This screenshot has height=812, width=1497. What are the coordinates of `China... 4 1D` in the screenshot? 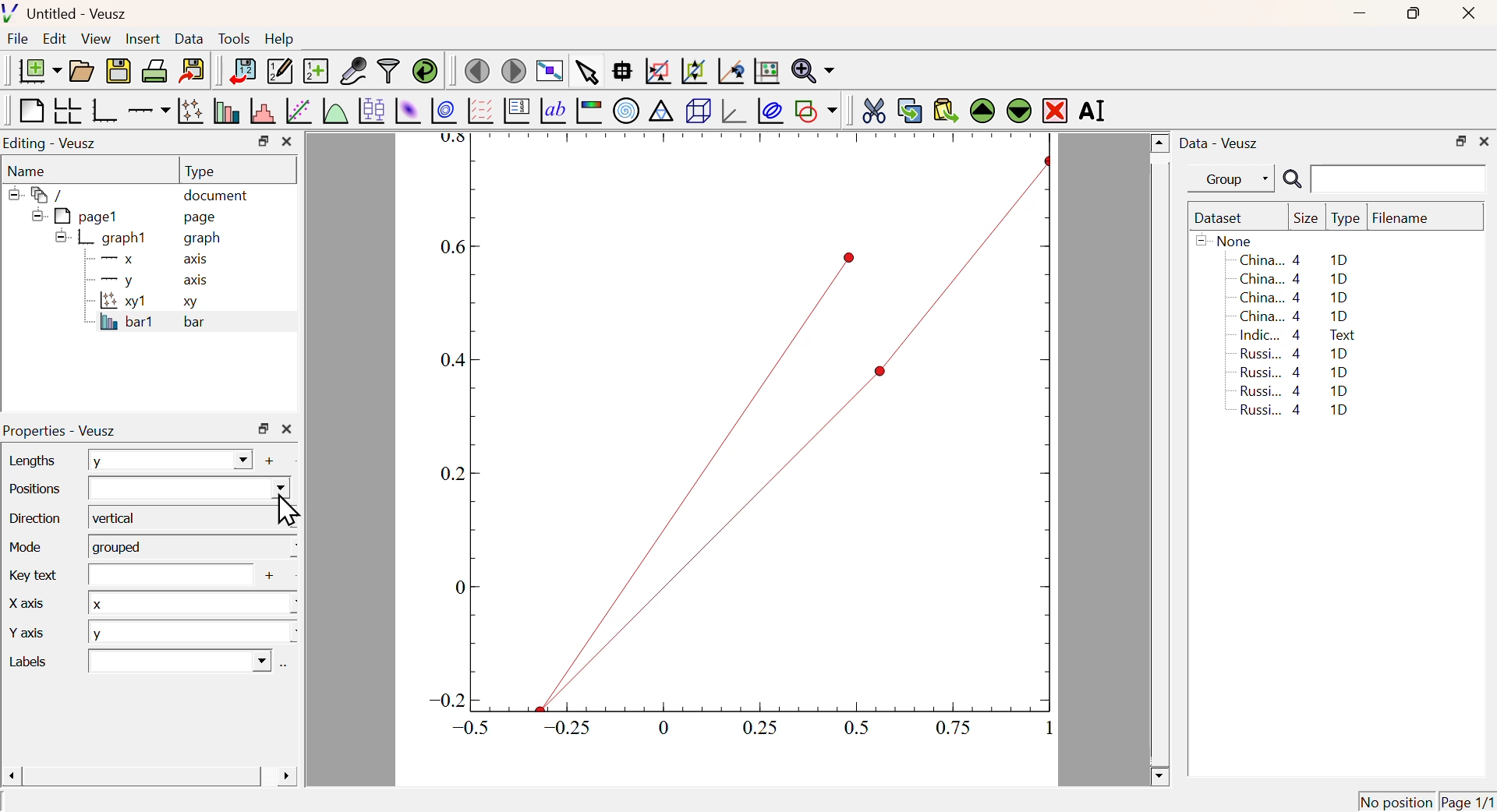 It's located at (1294, 259).